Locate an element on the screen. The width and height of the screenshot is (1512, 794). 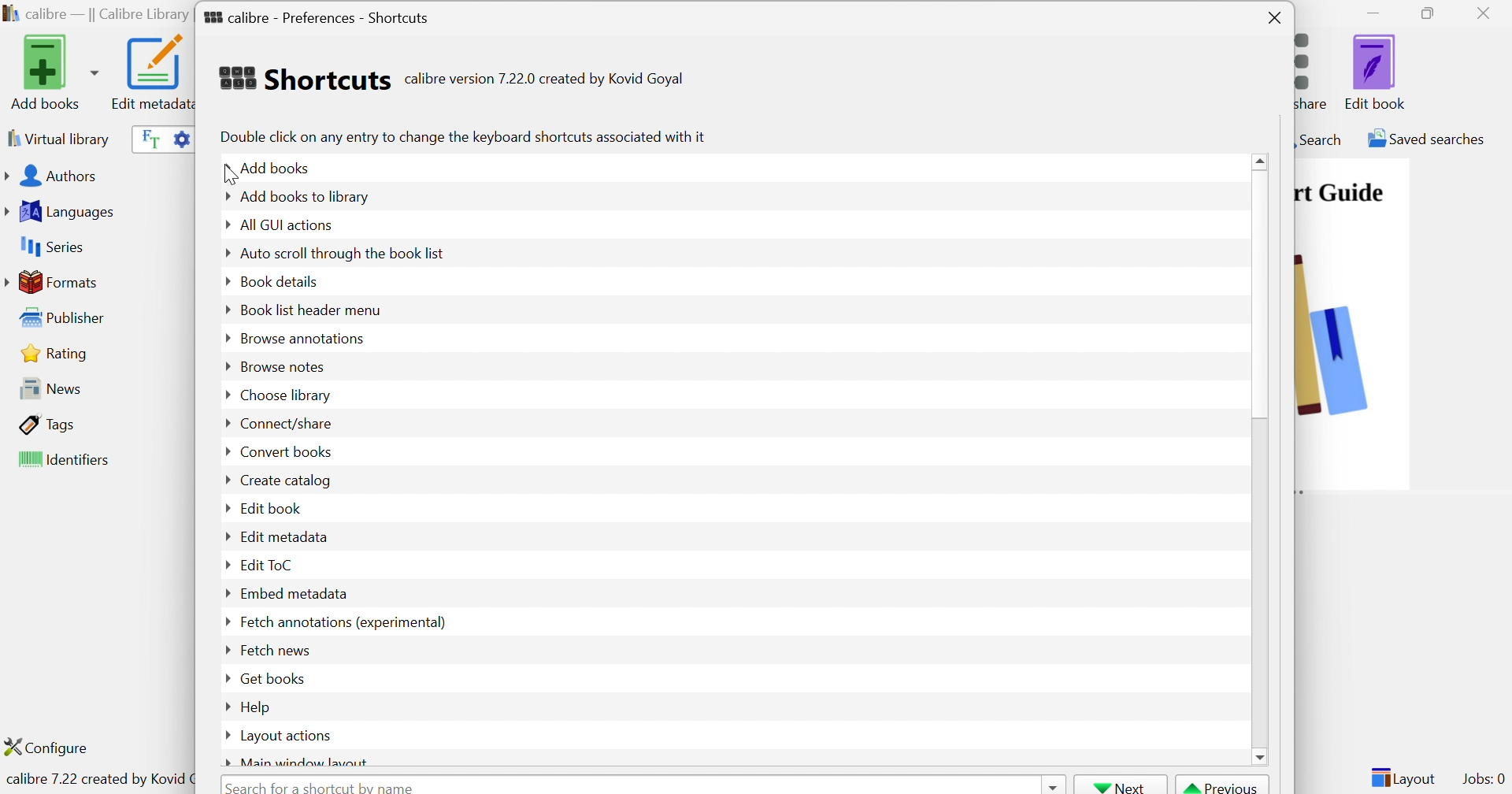
Drop Down is located at coordinates (221, 366).